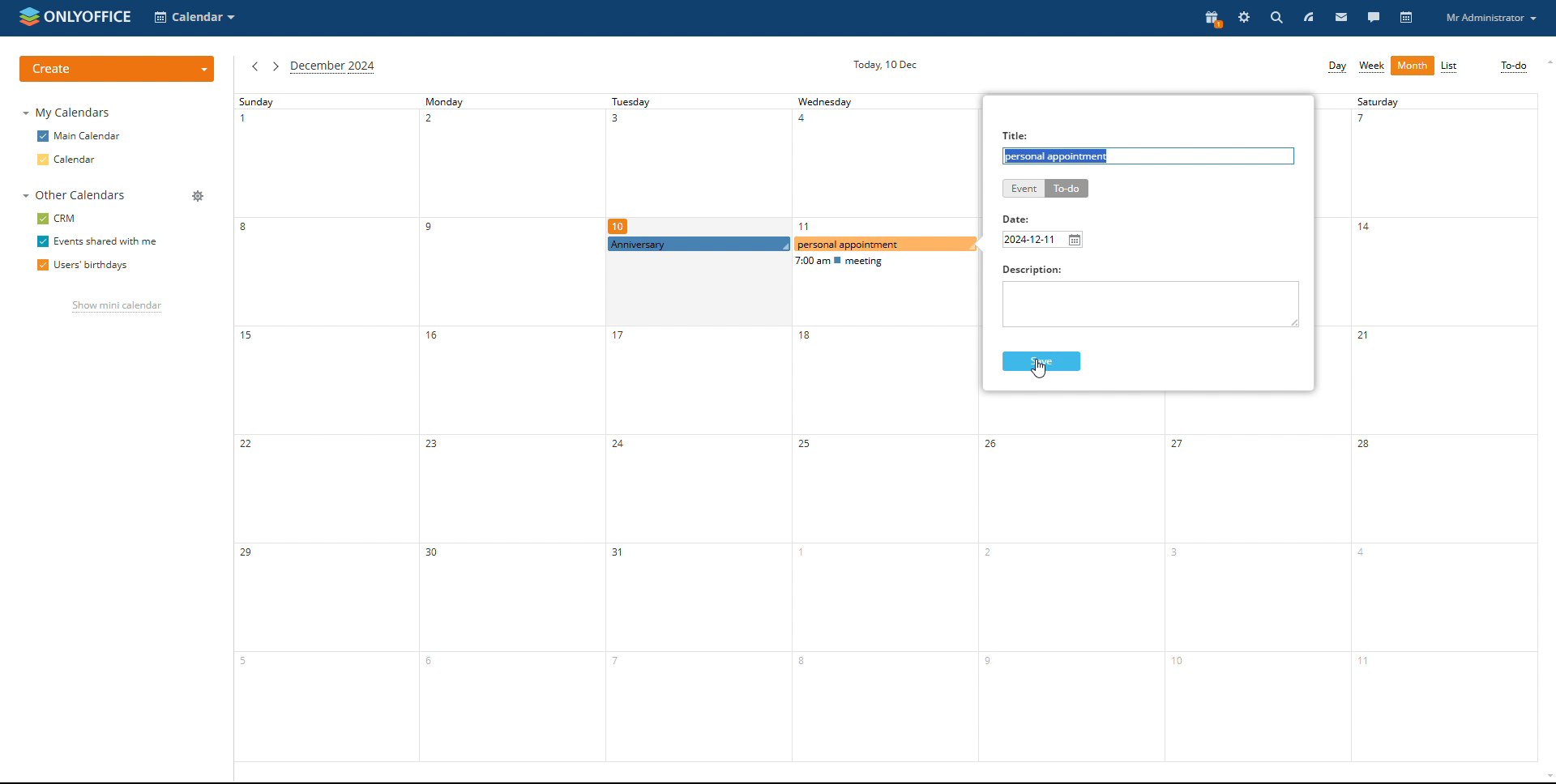 The height and width of the screenshot is (784, 1556). What do you see at coordinates (1067, 189) in the screenshot?
I see `to-do selected` at bounding box center [1067, 189].